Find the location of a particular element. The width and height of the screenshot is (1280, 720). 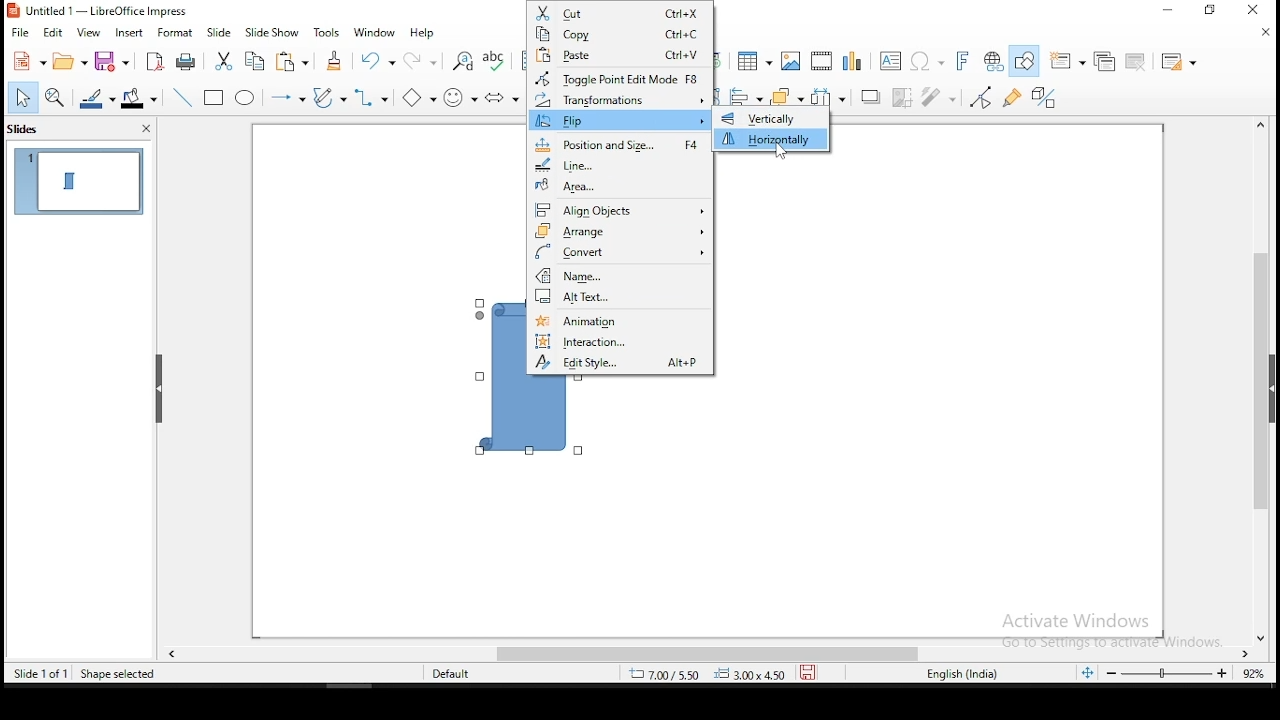

restore is located at coordinates (1210, 10).